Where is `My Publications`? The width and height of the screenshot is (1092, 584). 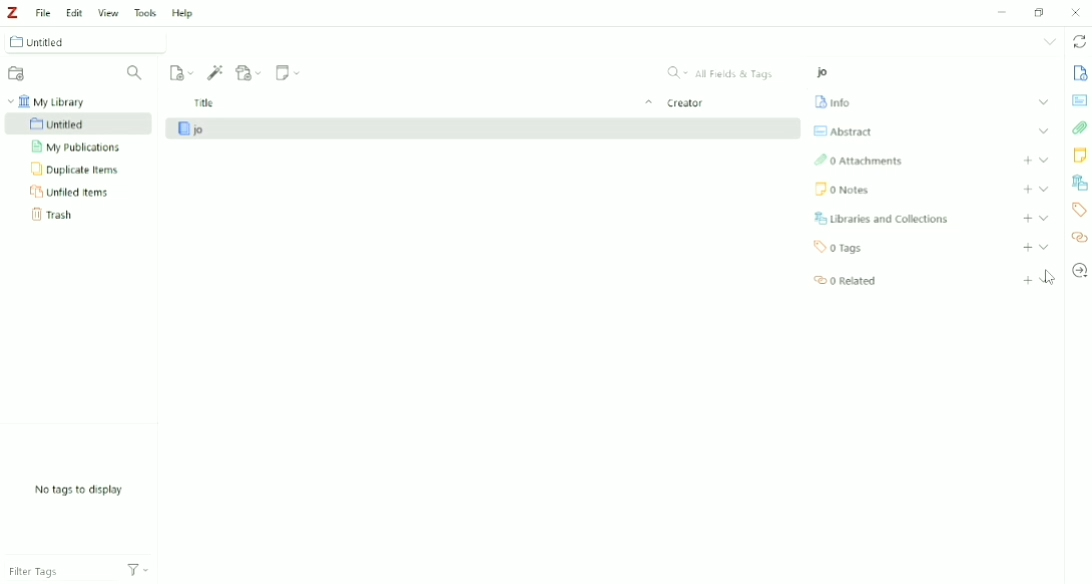
My Publications is located at coordinates (77, 148).